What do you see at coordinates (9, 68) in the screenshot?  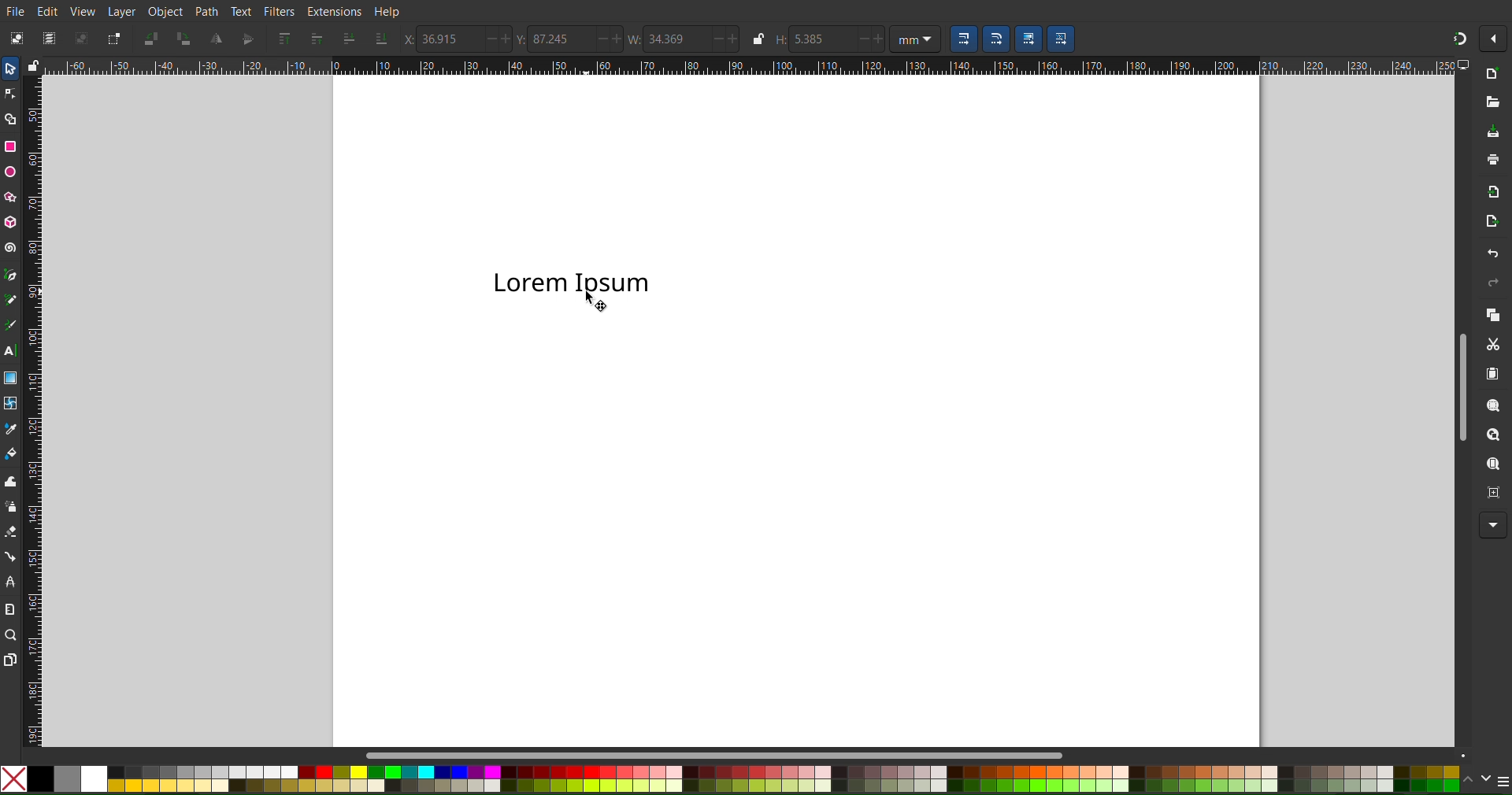 I see `Select` at bounding box center [9, 68].